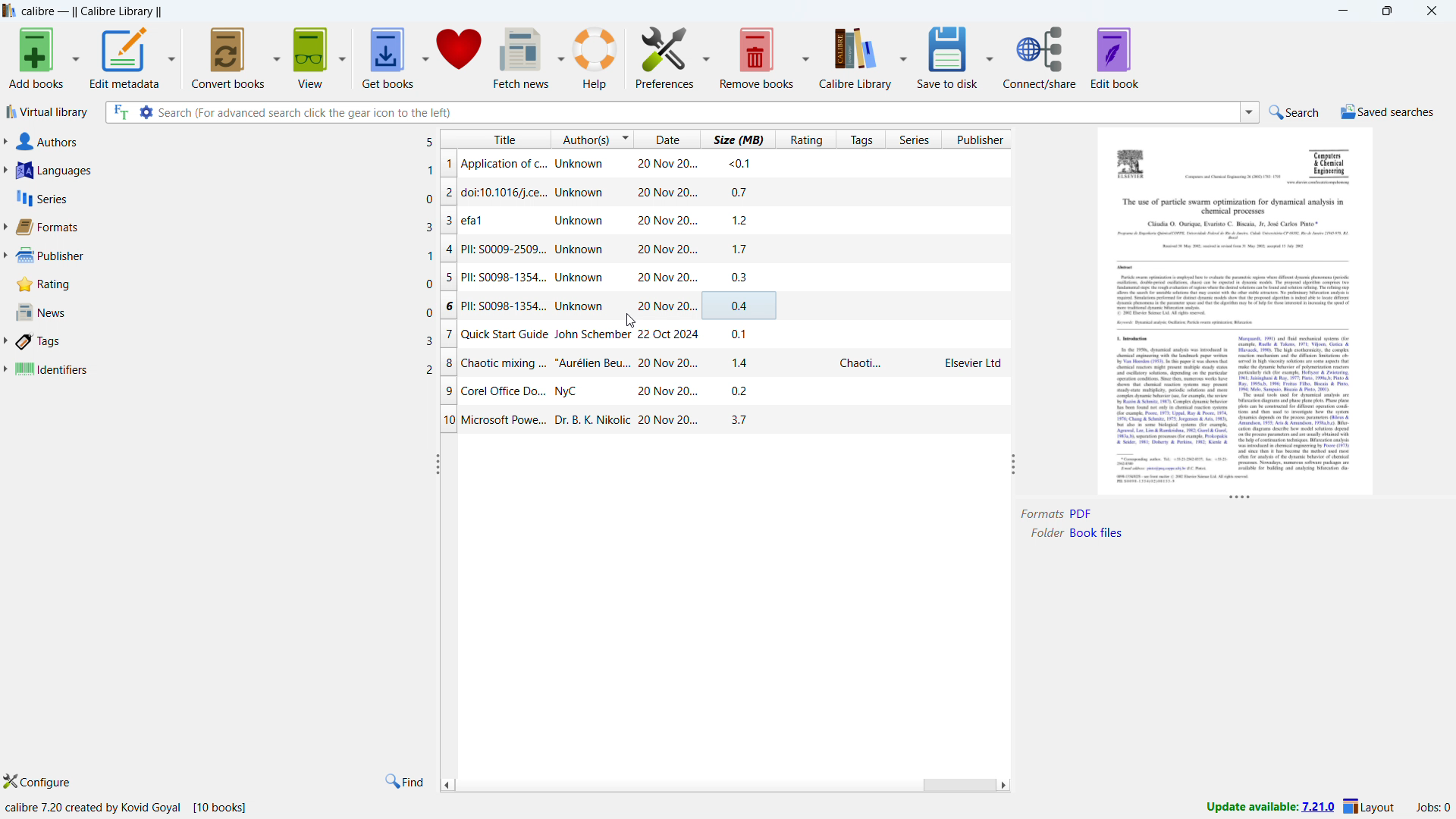  Describe the element at coordinates (805, 56) in the screenshot. I see `remove books options` at that location.